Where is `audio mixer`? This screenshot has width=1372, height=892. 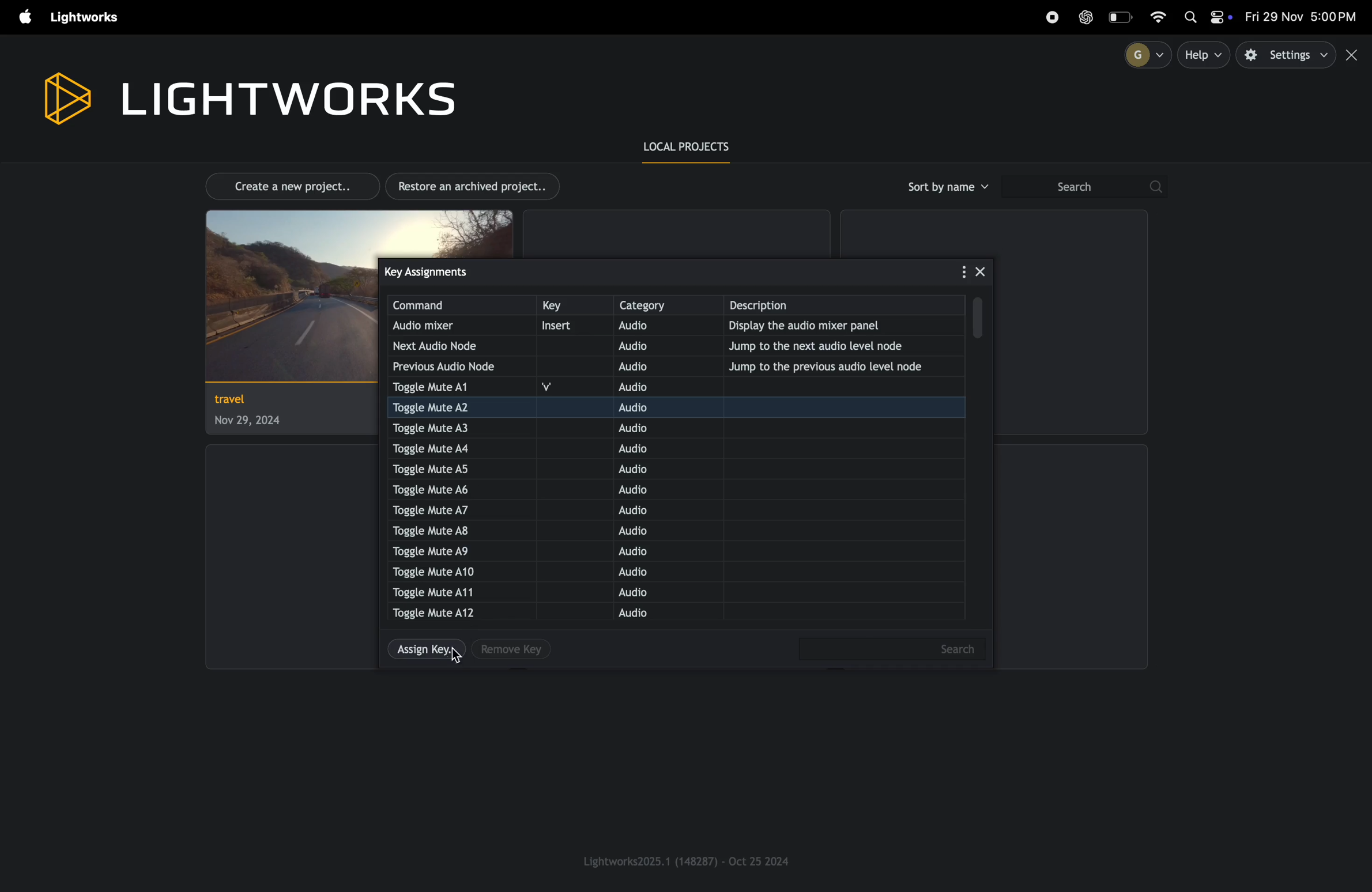
audio mixer is located at coordinates (447, 326).